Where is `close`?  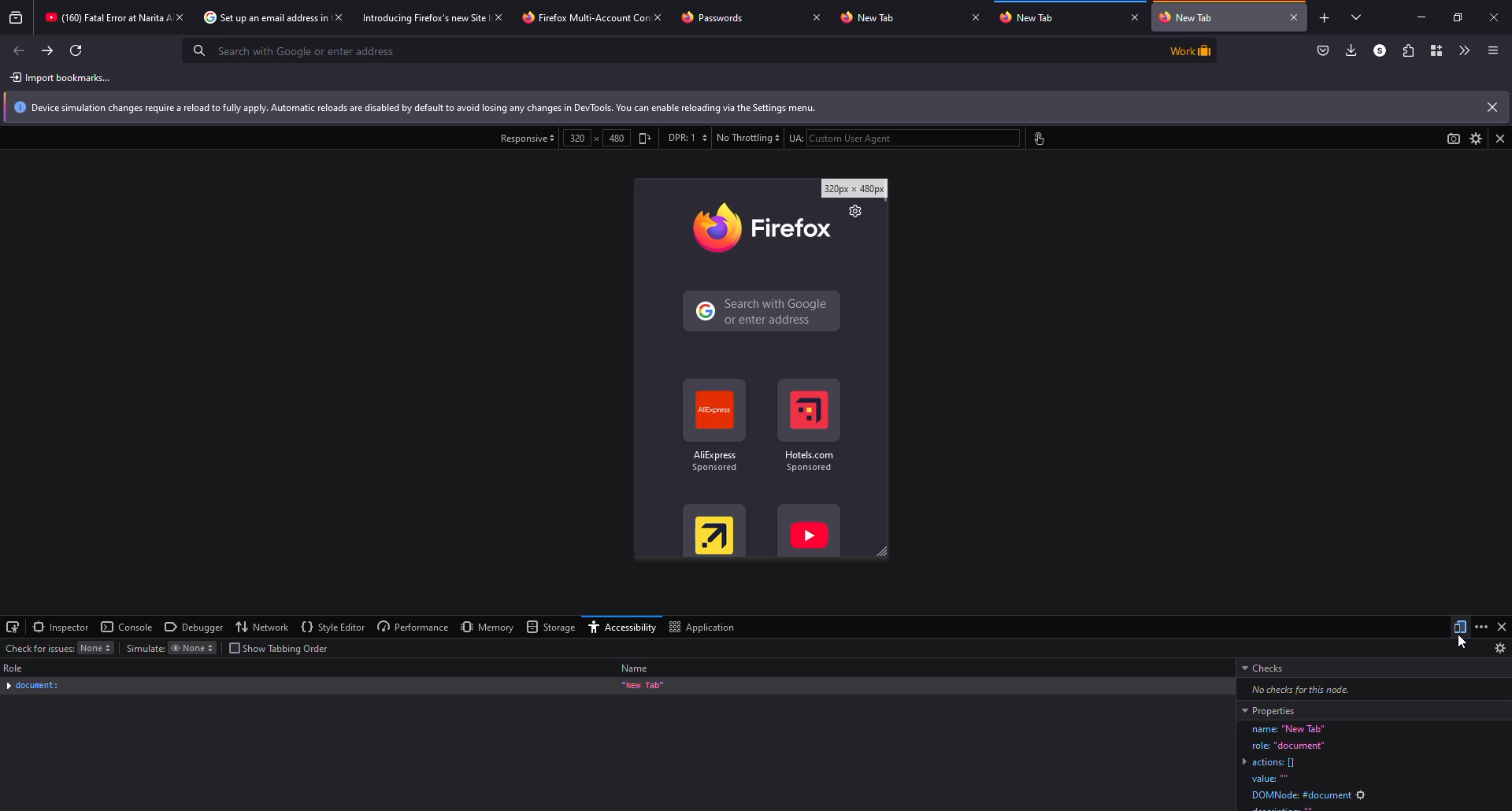
close is located at coordinates (1496, 15).